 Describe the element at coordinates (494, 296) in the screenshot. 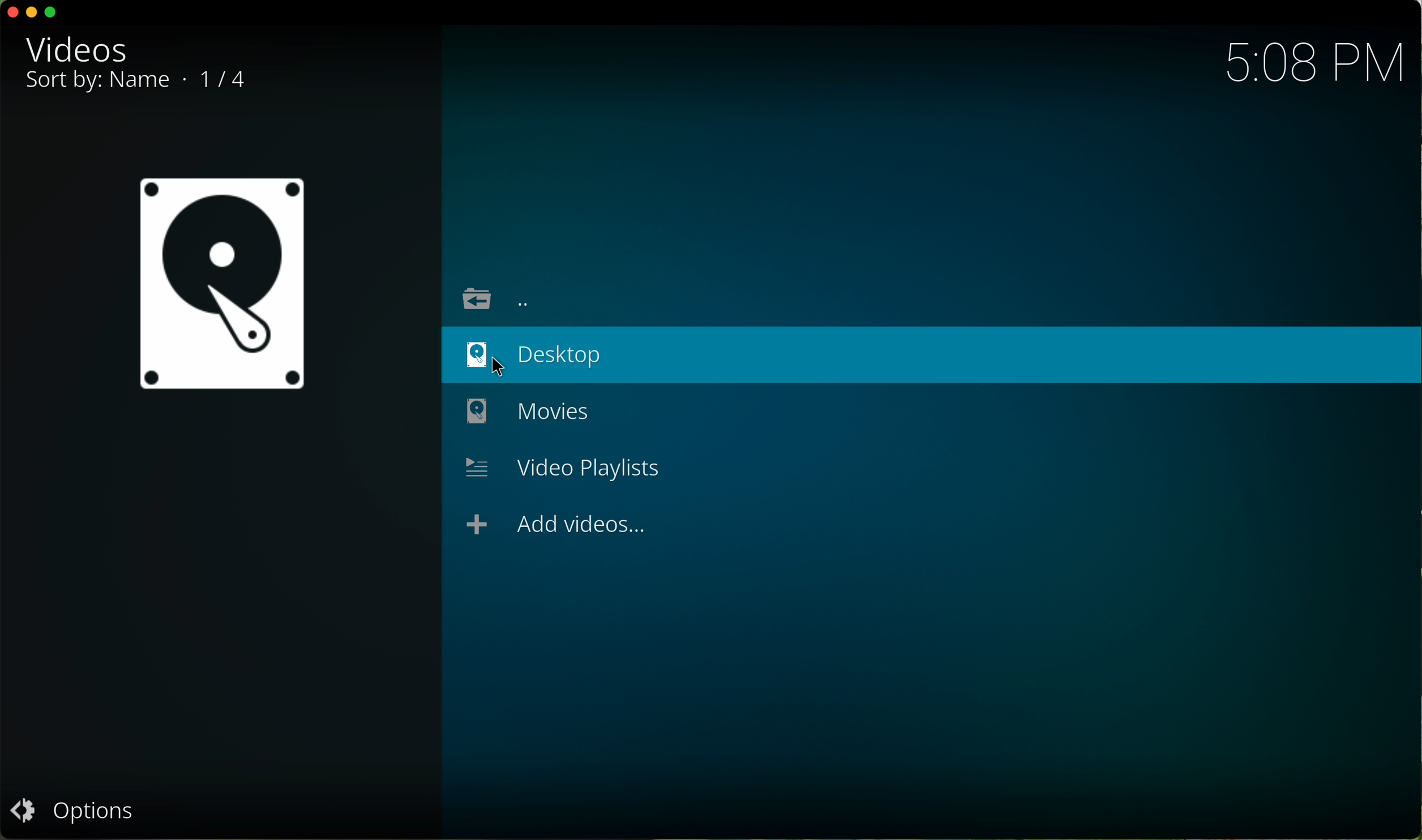

I see `location back` at that location.